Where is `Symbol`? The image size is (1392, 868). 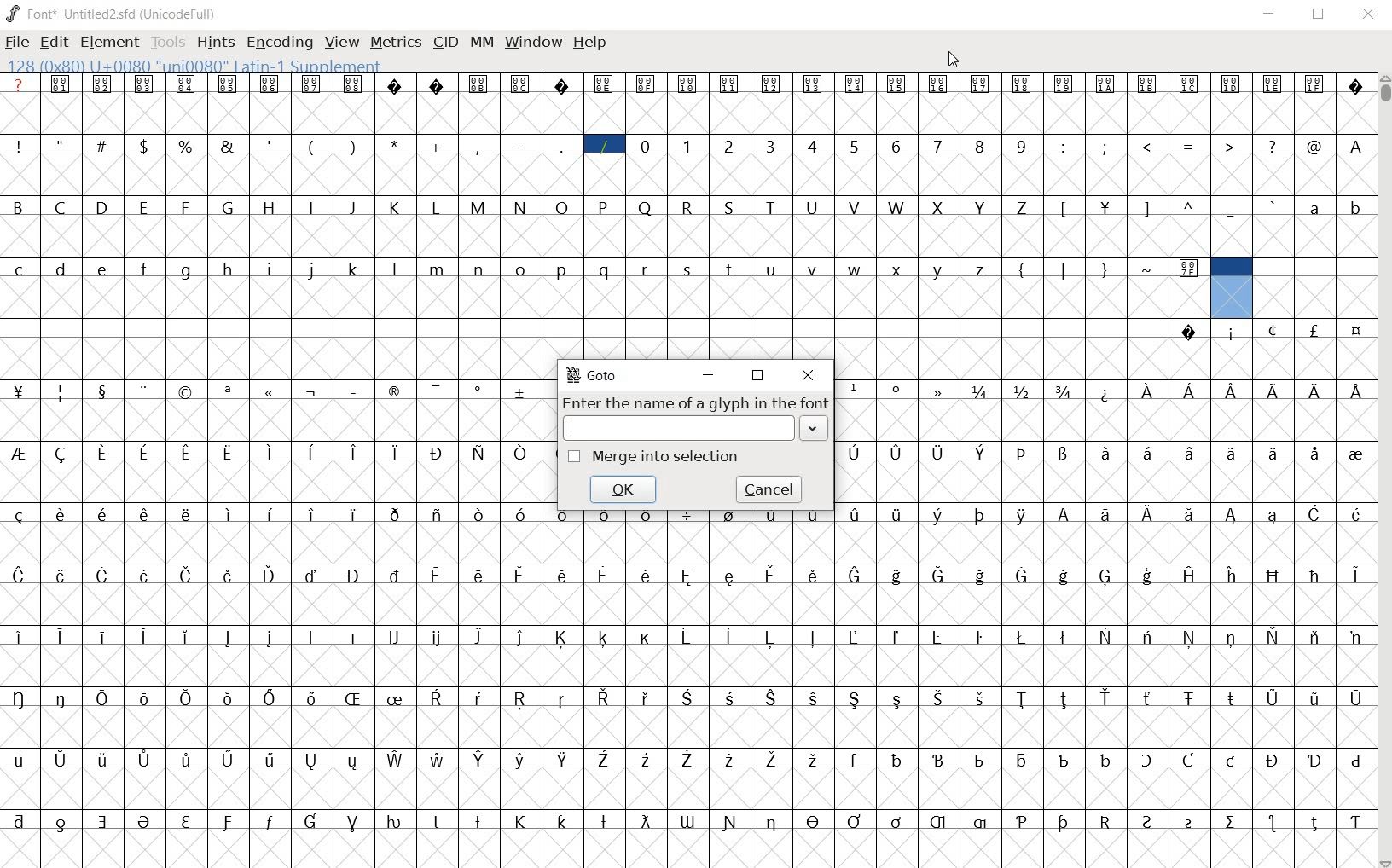
Symbol is located at coordinates (20, 454).